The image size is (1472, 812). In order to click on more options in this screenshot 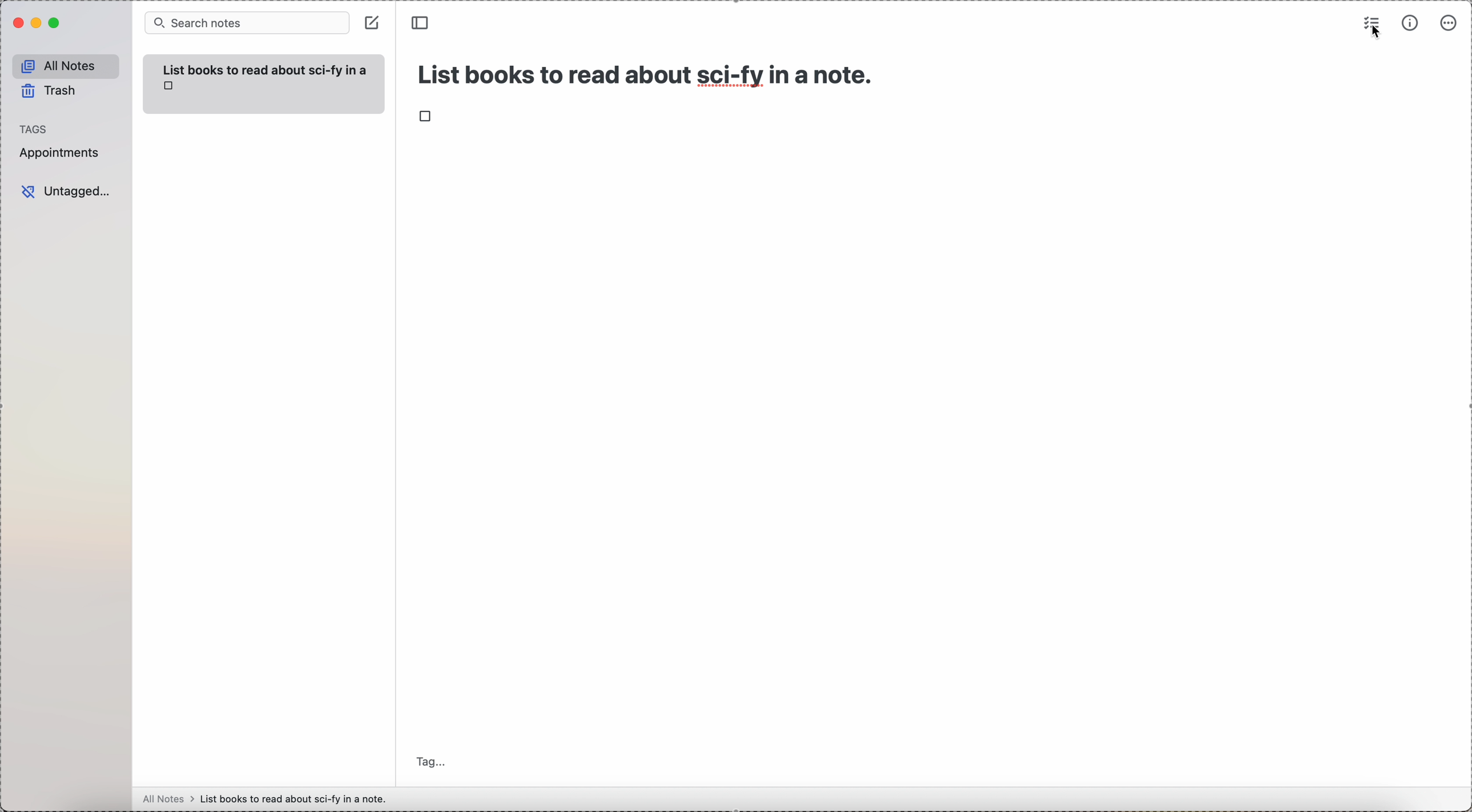, I will do `click(1447, 24)`.